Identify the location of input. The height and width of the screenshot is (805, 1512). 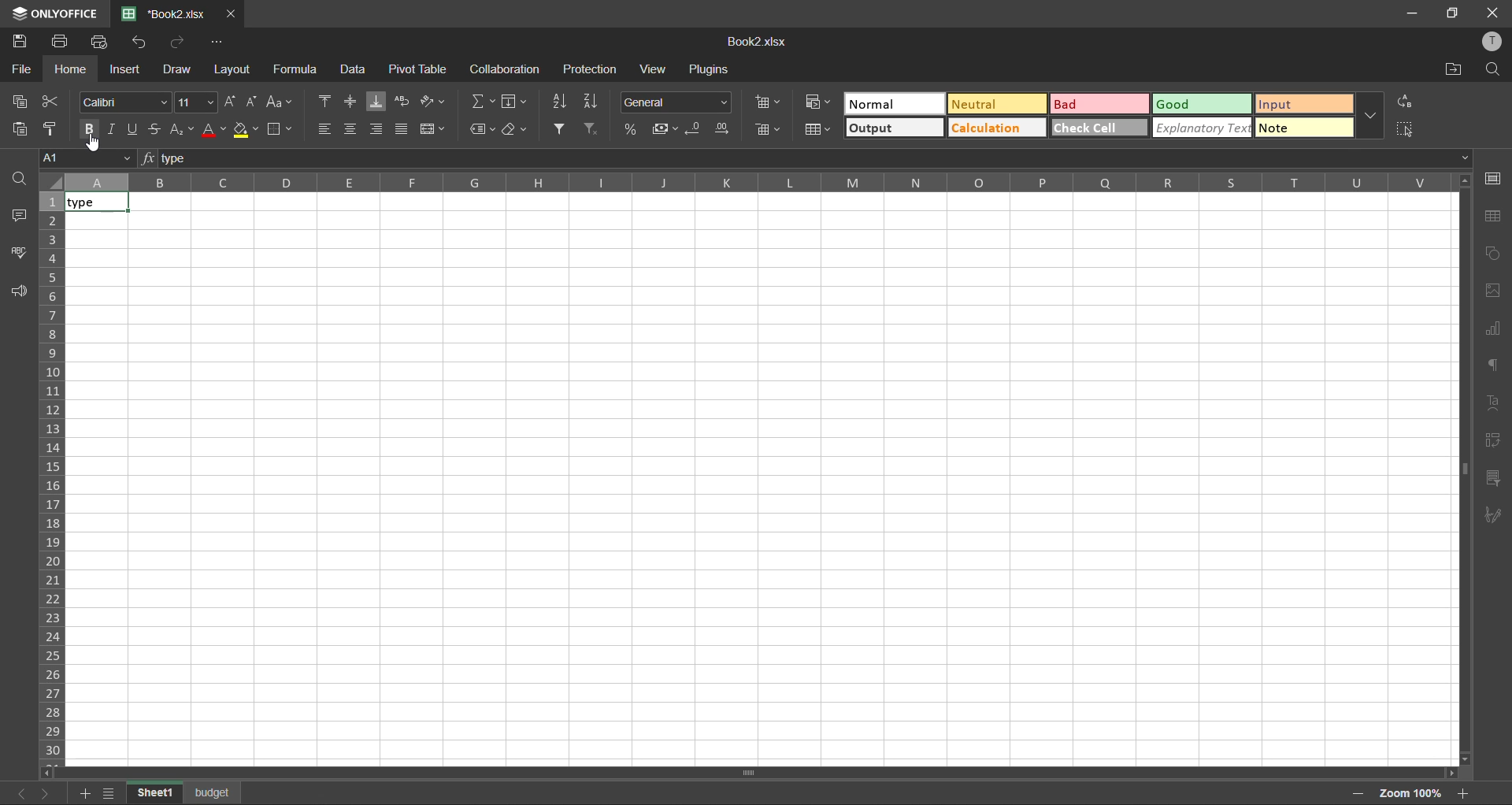
(1303, 106).